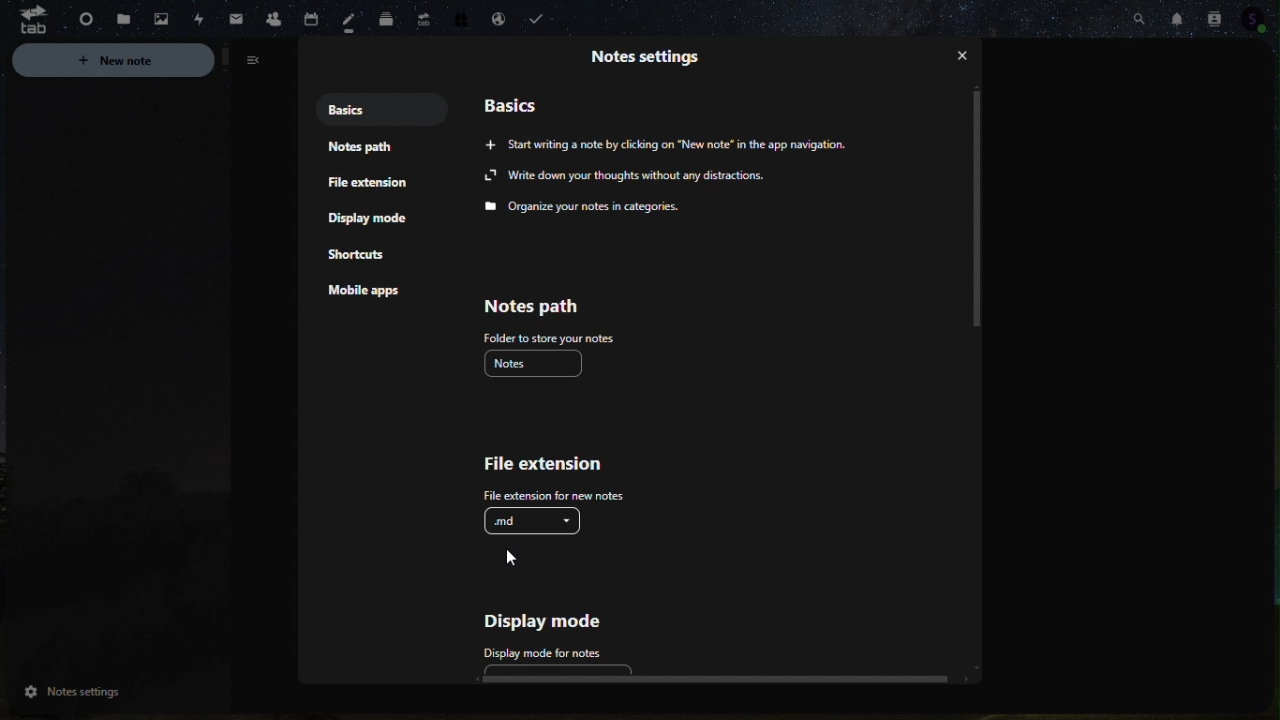 The height and width of the screenshot is (720, 1280). I want to click on File extensions, so click(365, 183).